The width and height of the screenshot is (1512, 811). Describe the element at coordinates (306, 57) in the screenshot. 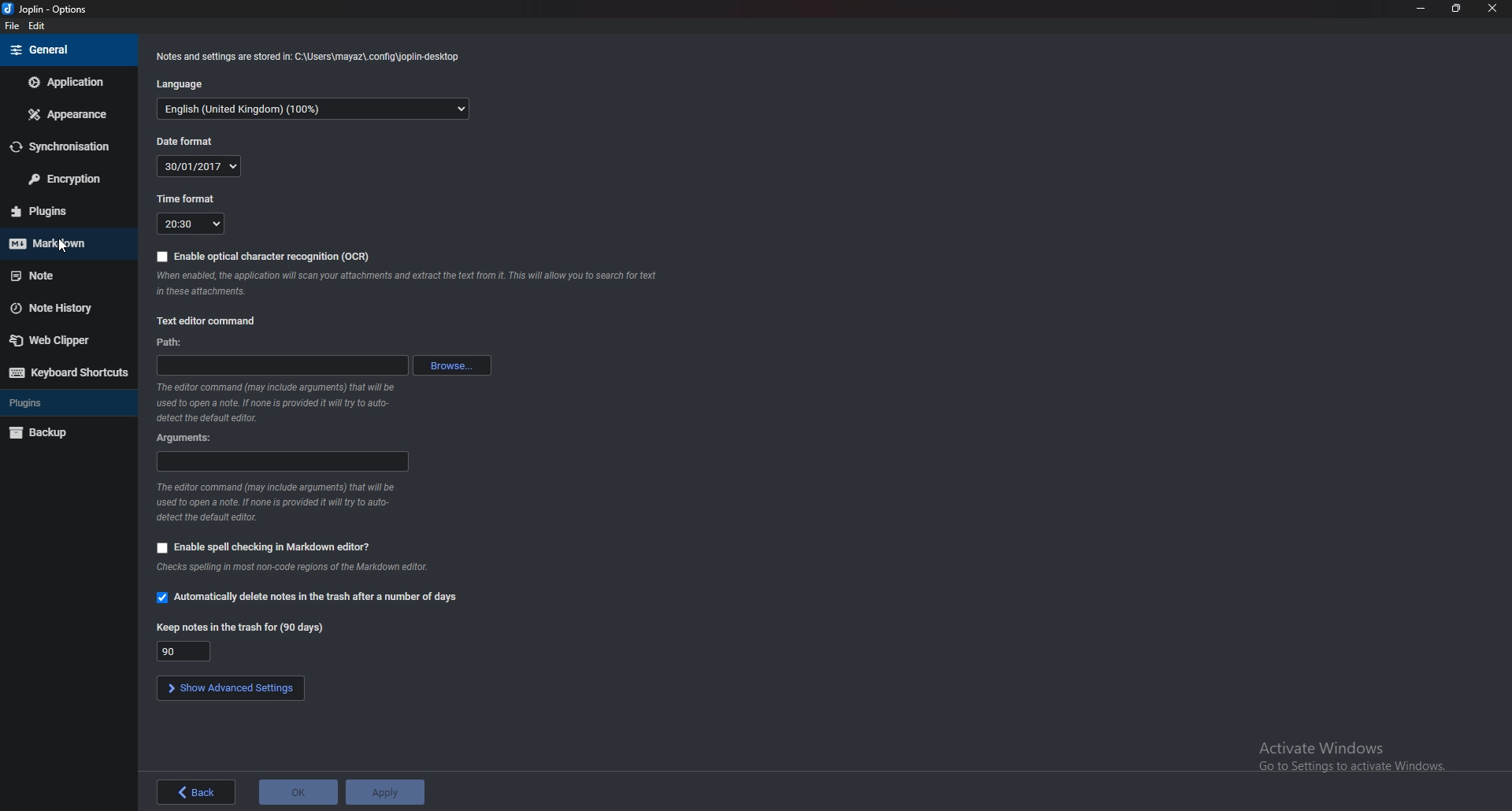

I see `Info` at that location.